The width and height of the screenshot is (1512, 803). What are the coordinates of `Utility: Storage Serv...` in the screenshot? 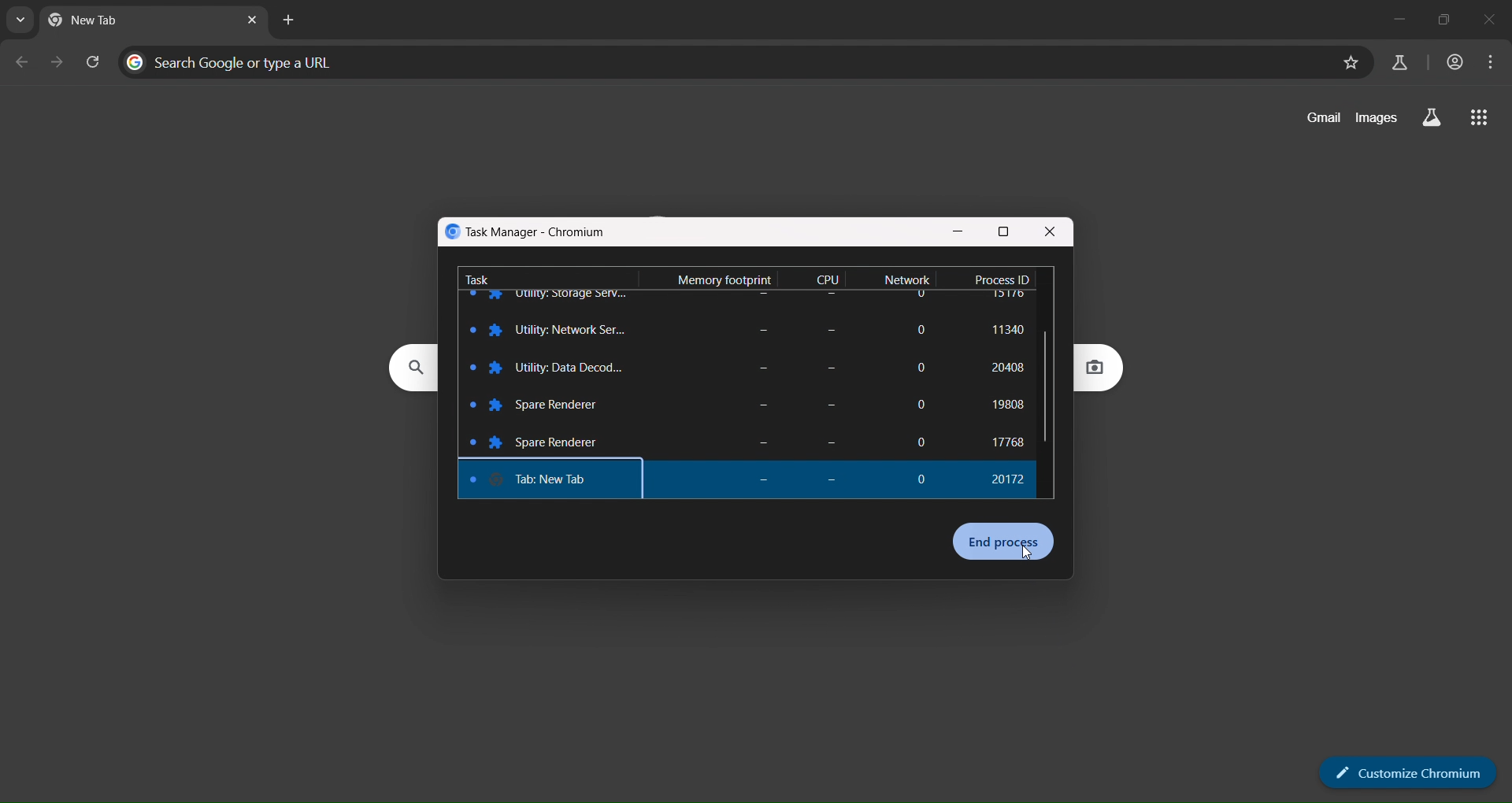 It's located at (573, 329).